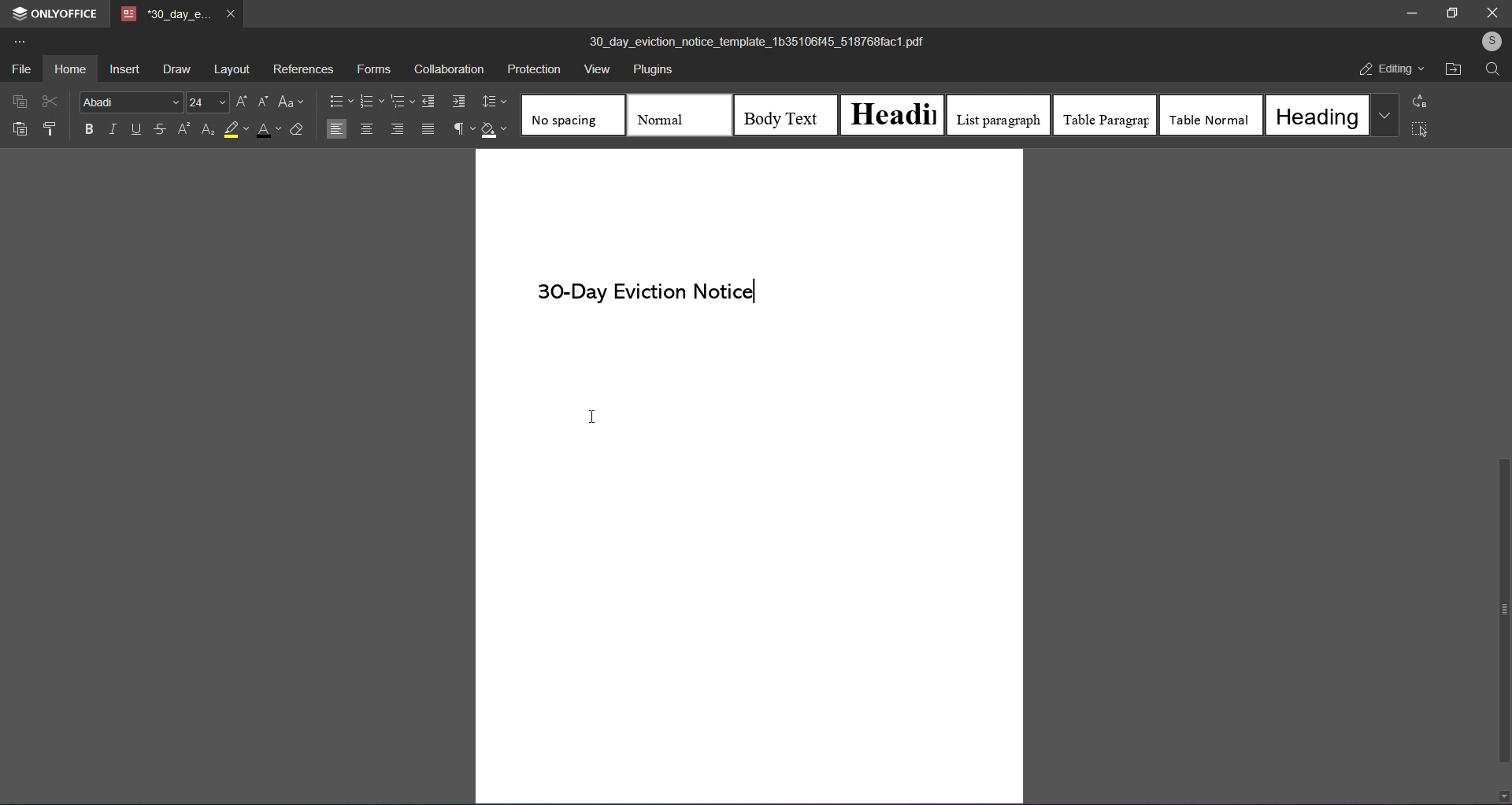  What do you see at coordinates (396, 129) in the screenshot?
I see `right aligned` at bounding box center [396, 129].